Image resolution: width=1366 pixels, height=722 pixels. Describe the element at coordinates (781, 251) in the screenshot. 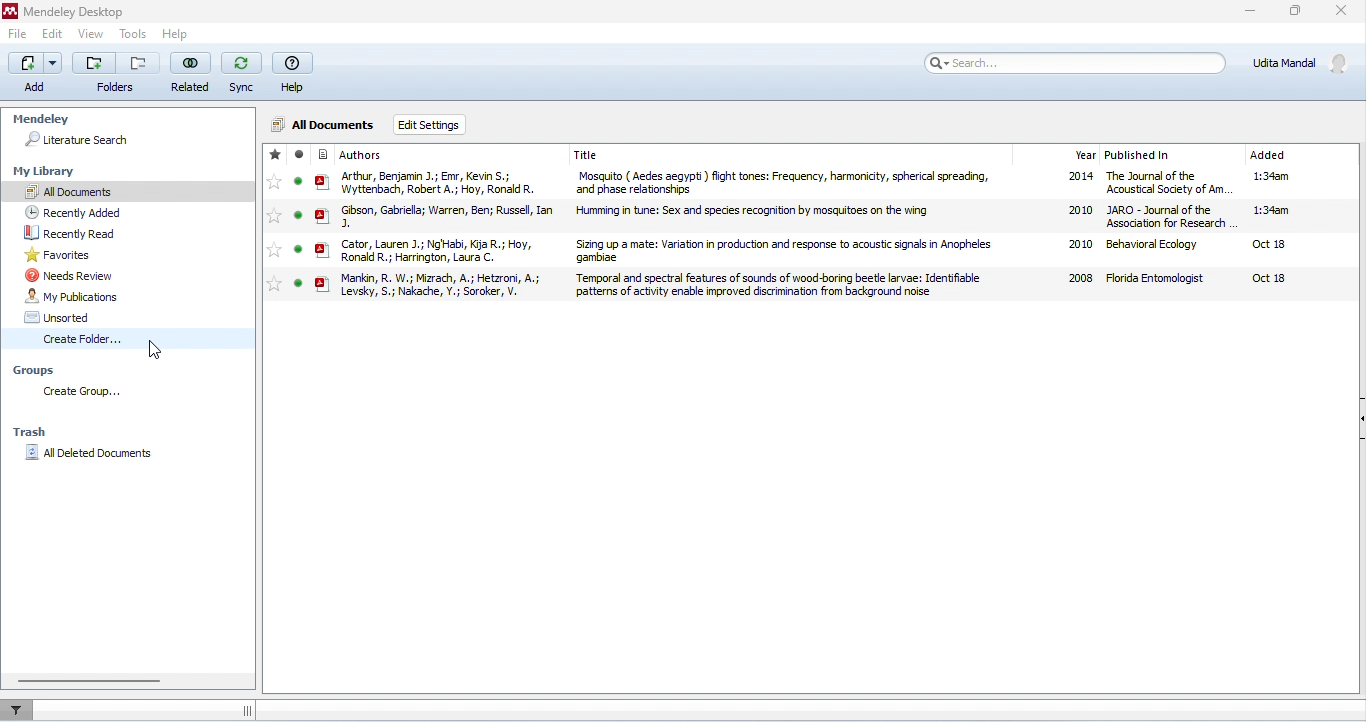

I see `Sizing up a mate: Variation in production and response to acoustic signals in Anopheles gambiae` at that location.